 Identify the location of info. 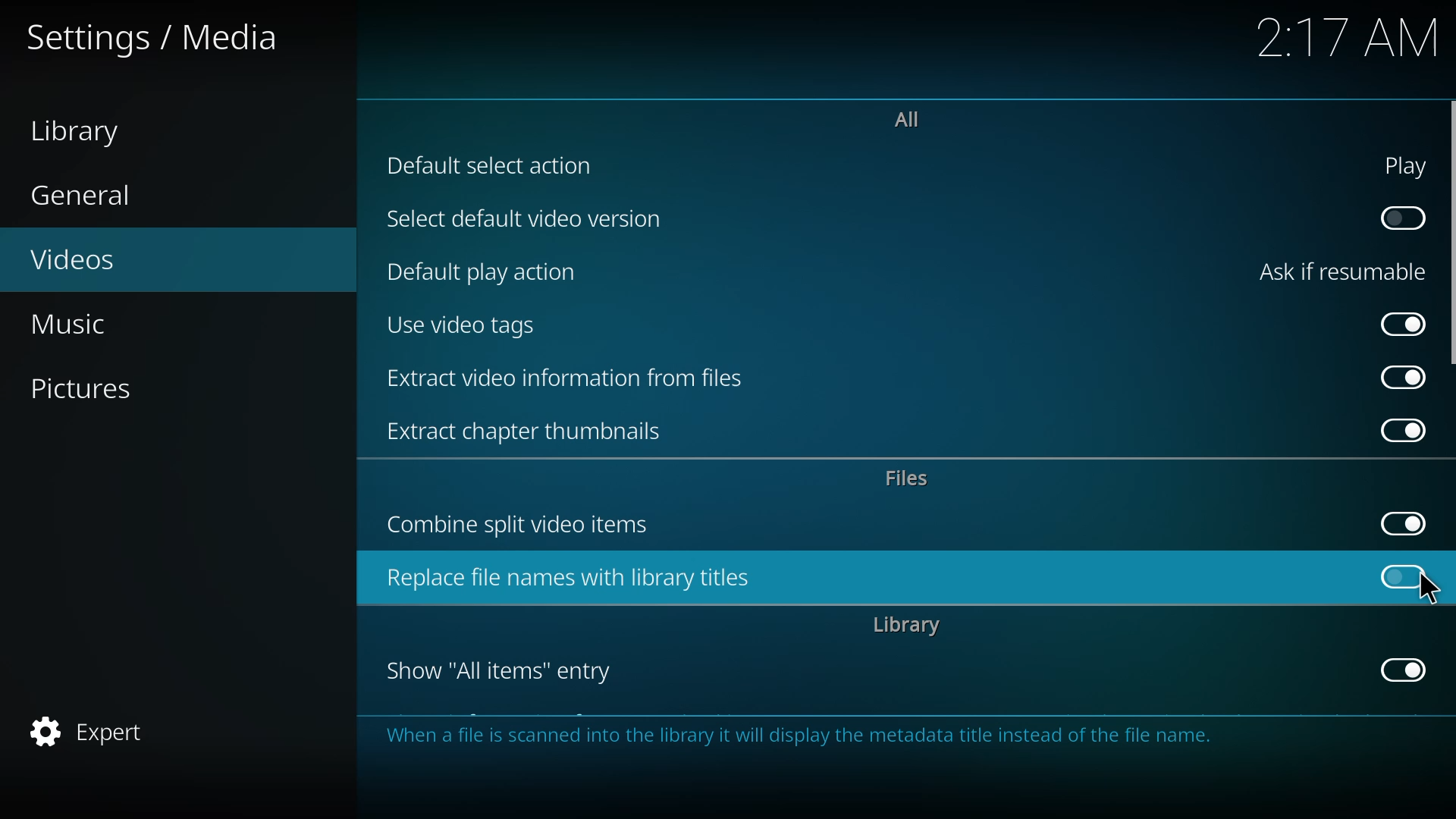
(803, 739).